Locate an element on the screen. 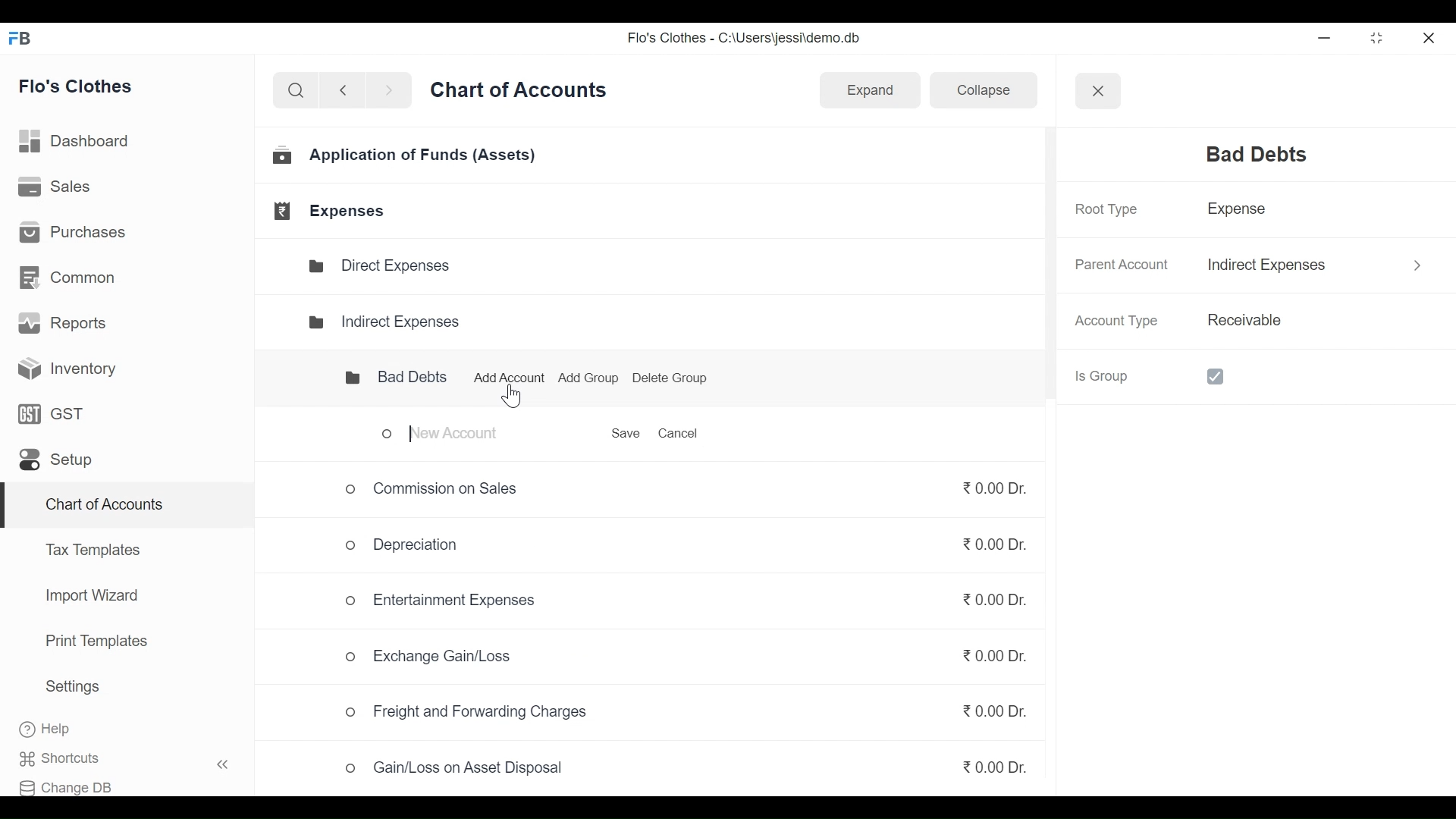  Setup is located at coordinates (55, 463).